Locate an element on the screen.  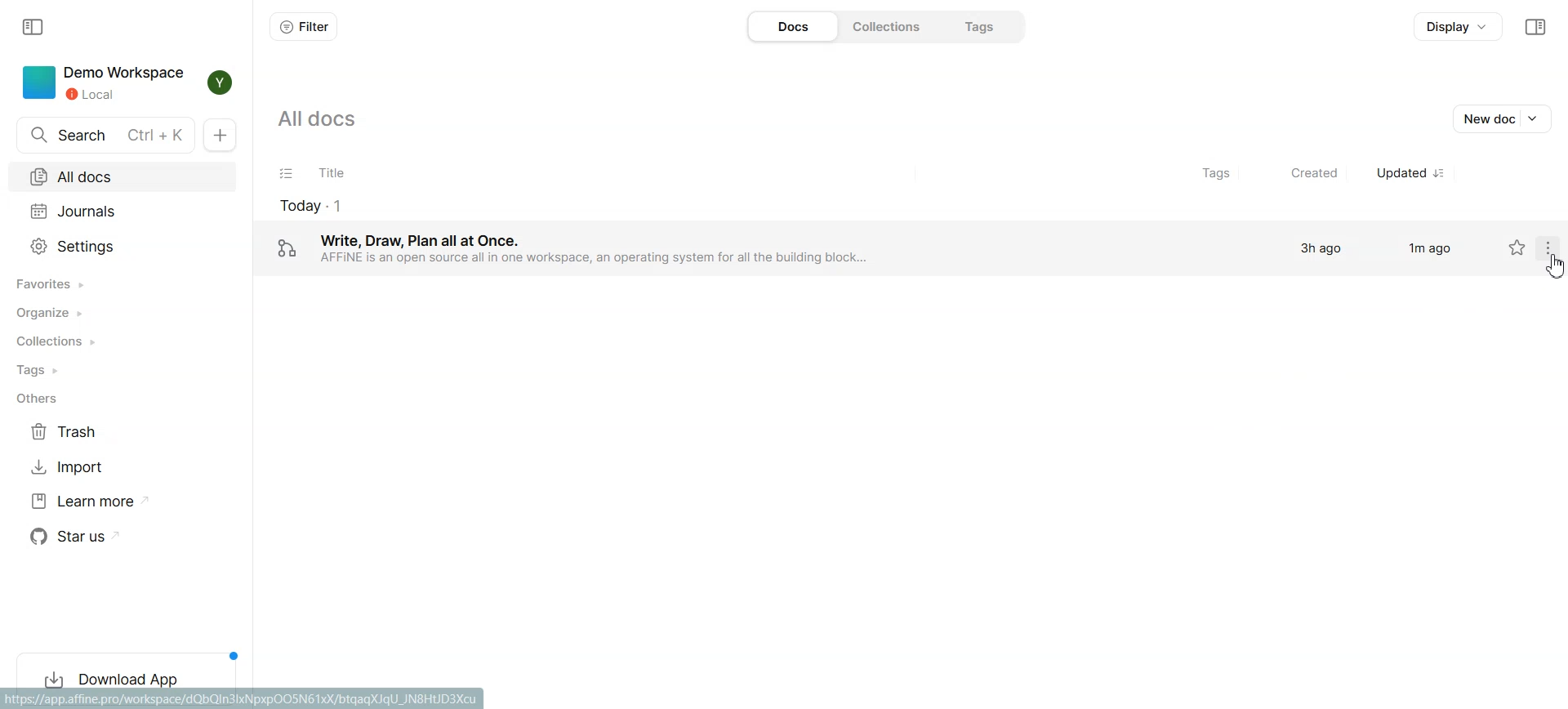
Checklist is located at coordinates (285, 174).